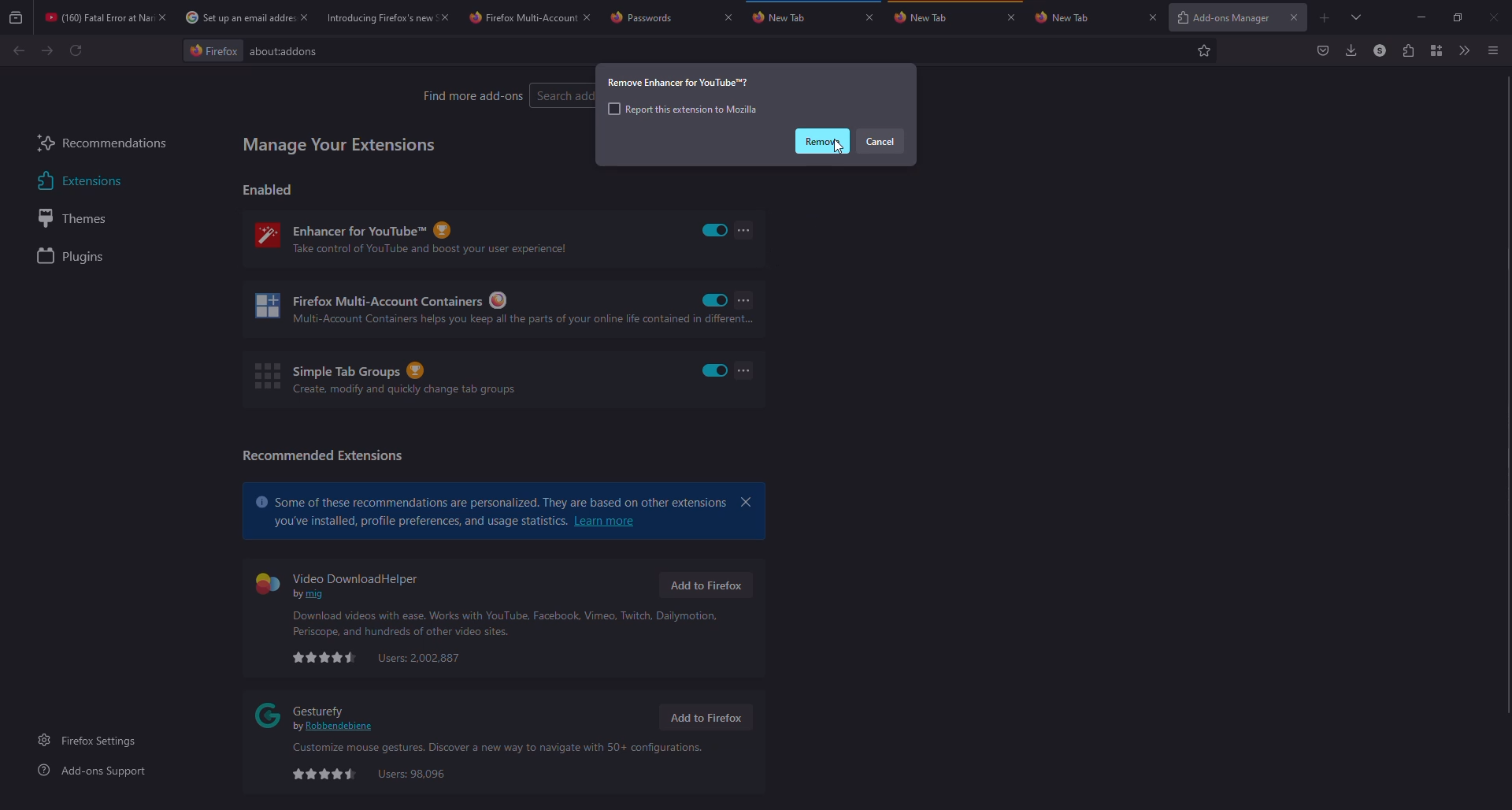 The width and height of the screenshot is (1512, 810). What do you see at coordinates (377, 17) in the screenshot?
I see `tab` at bounding box center [377, 17].